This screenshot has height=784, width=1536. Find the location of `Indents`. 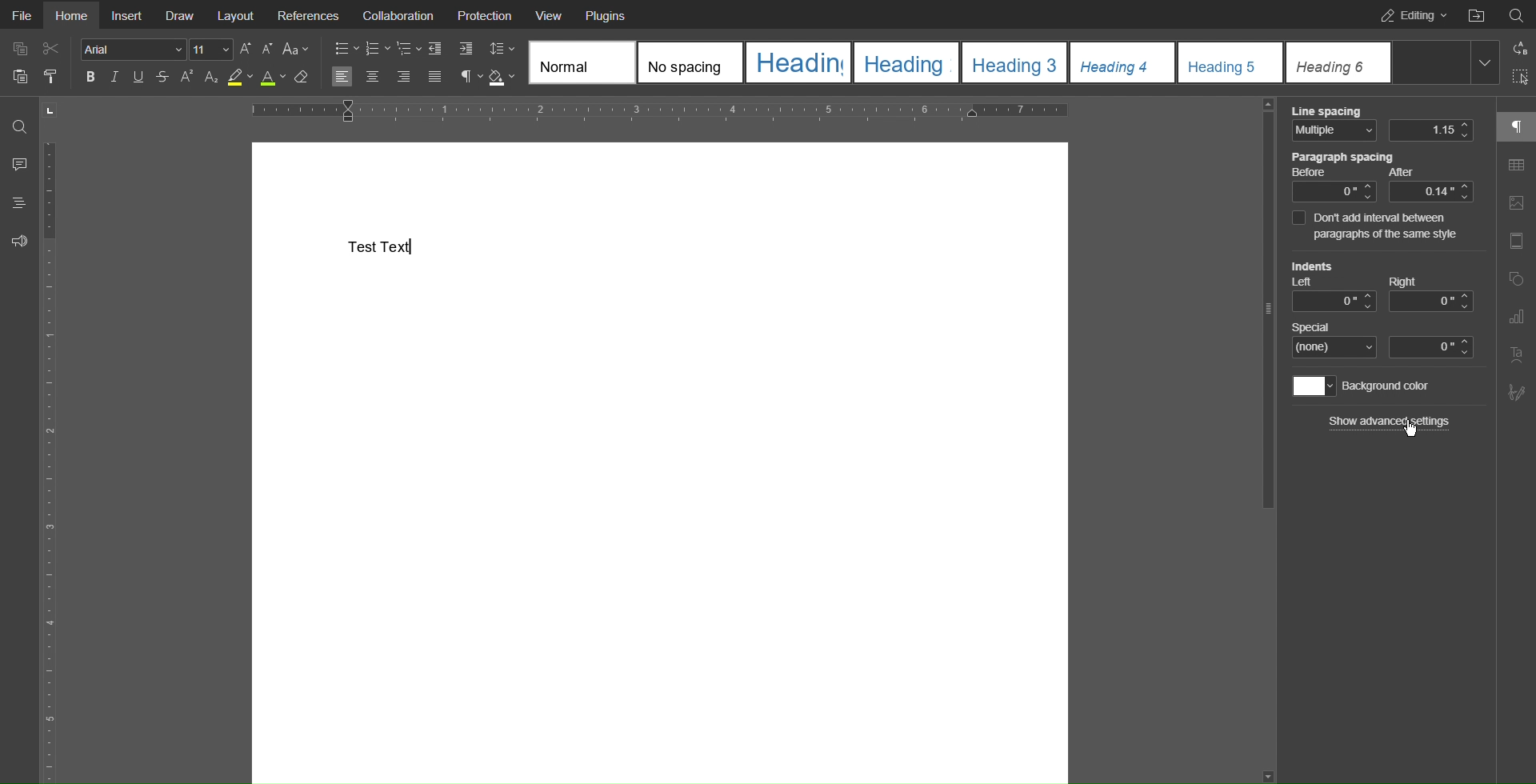

Indents is located at coordinates (1380, 286).